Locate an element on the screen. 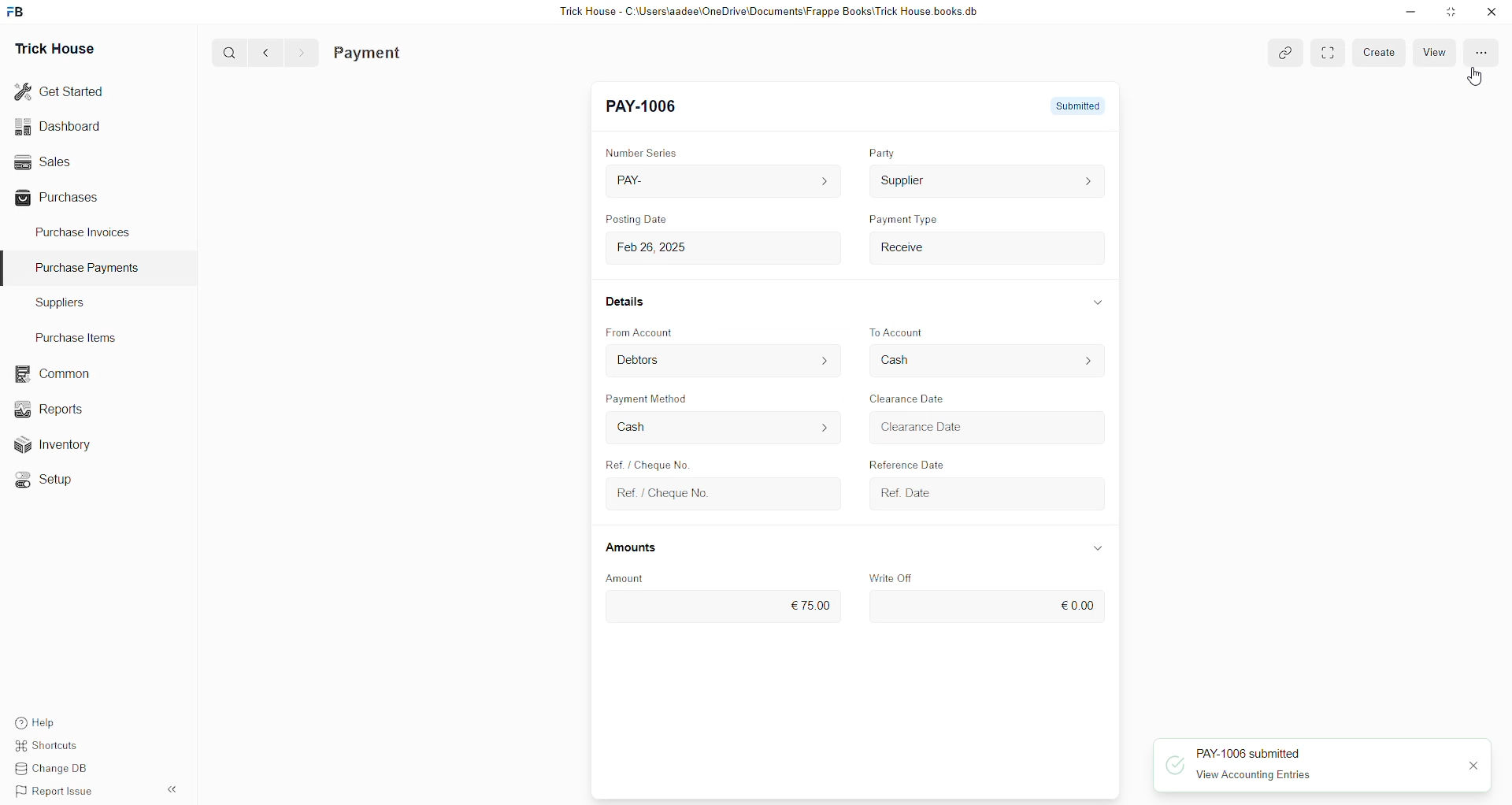 This screenshot has width=1512, height=805. search is located at coordinates (231, 53).